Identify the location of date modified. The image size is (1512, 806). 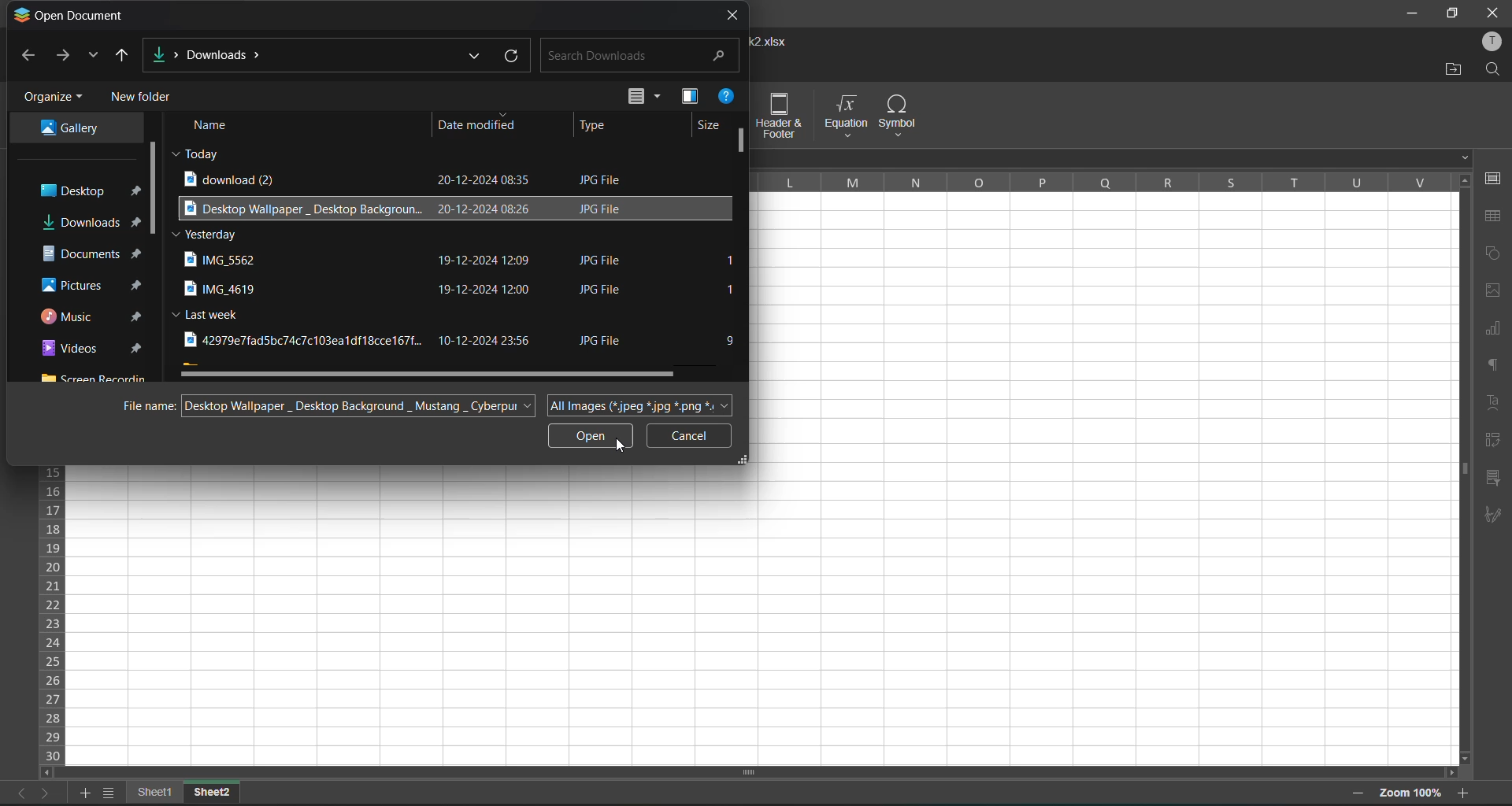
(474, 125).